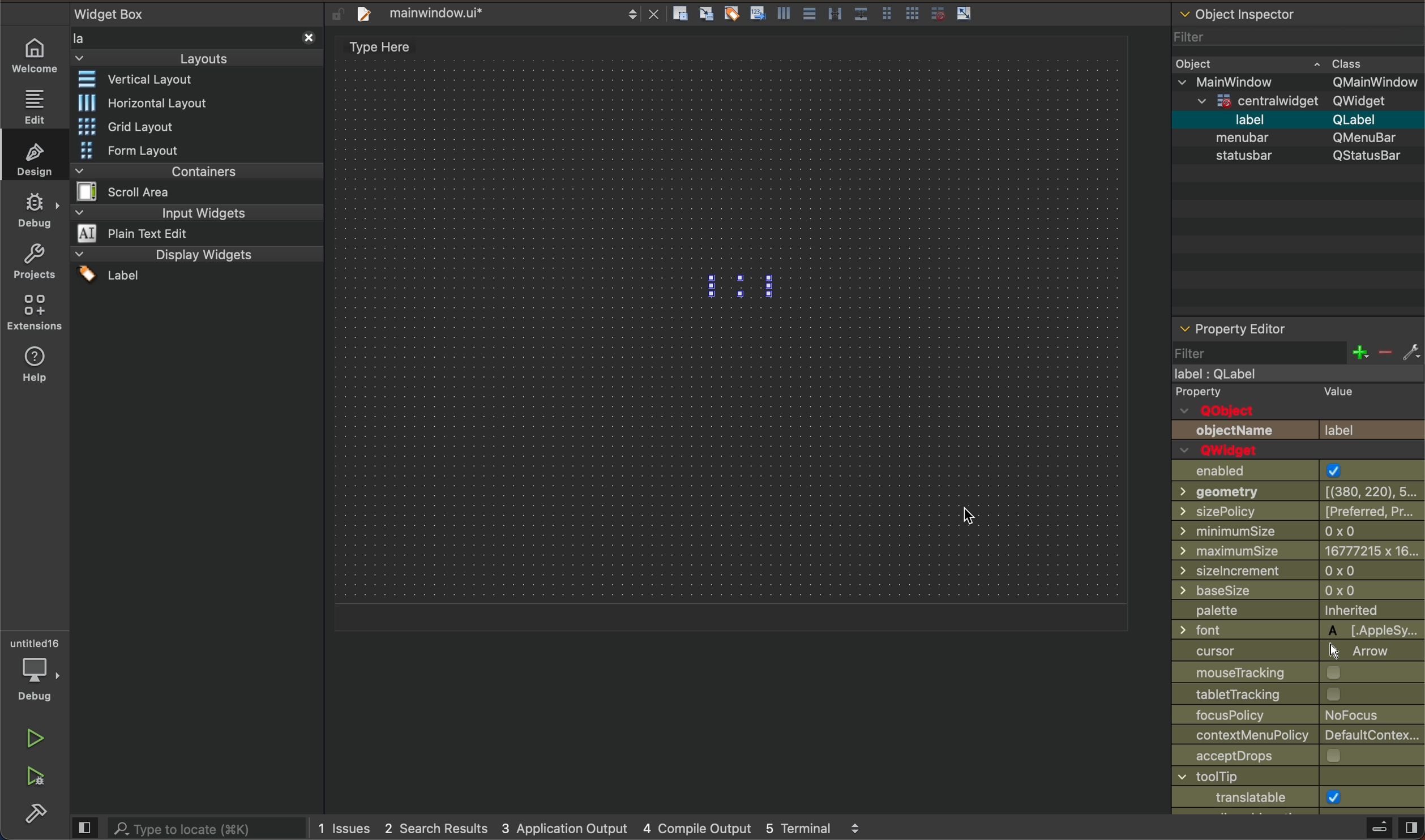 This screenshot has width=1425, height=840. Describe the element at coordinates (1299, 736) in the screenshot. I see `contextMenuPlicy` at that location.